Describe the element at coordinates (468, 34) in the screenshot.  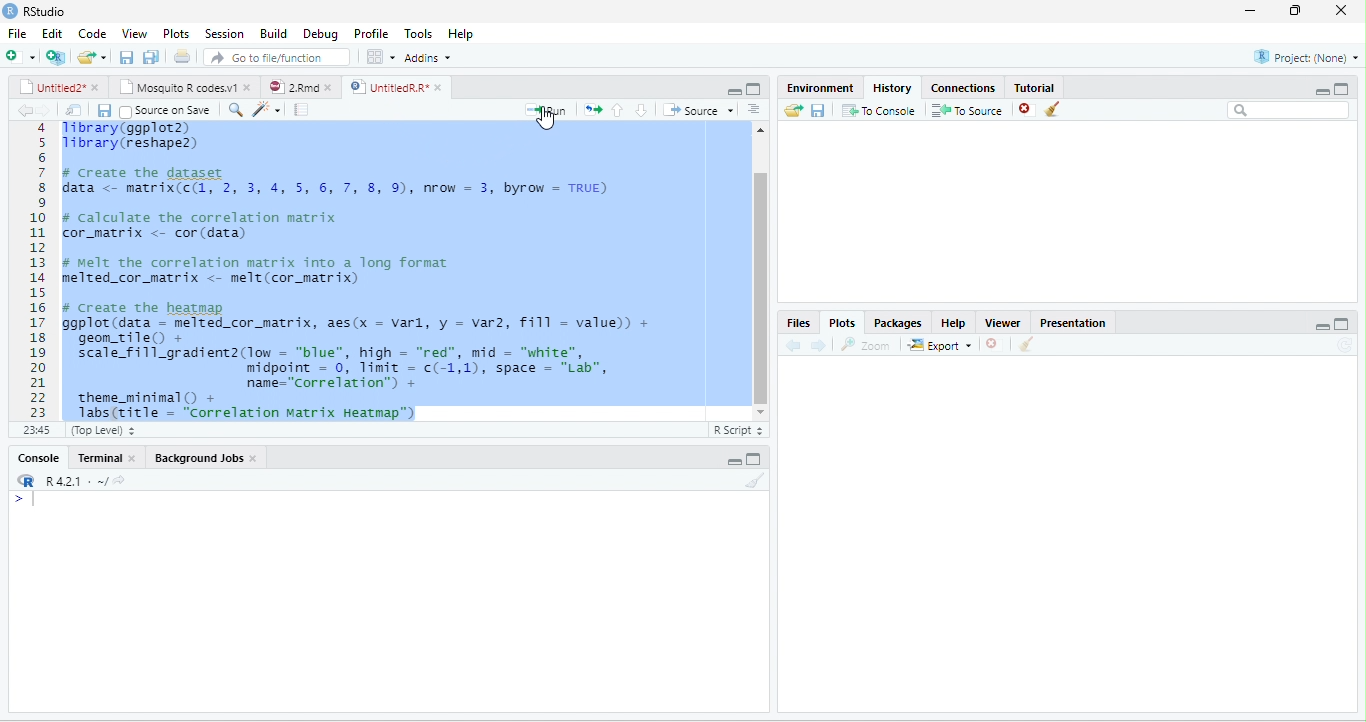
I see `help` at that location.